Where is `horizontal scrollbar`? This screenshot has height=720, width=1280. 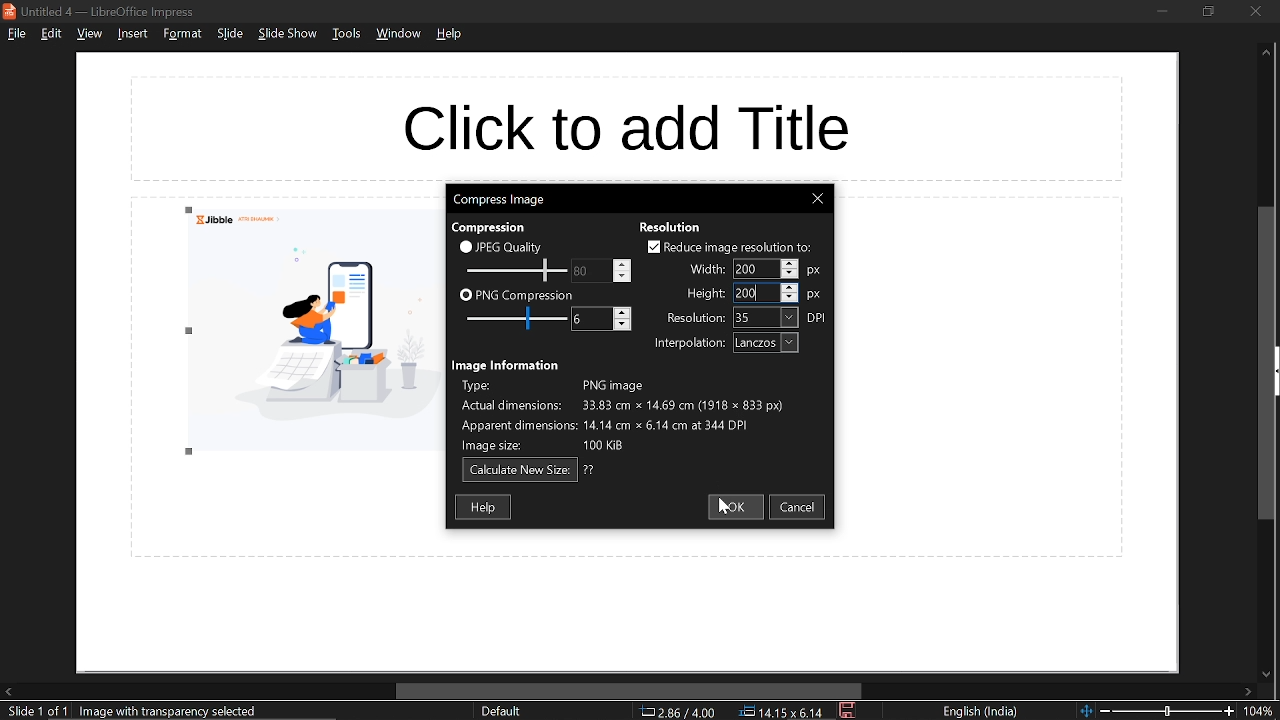 horizontal scrollbar is located at coordinates (630, 691).